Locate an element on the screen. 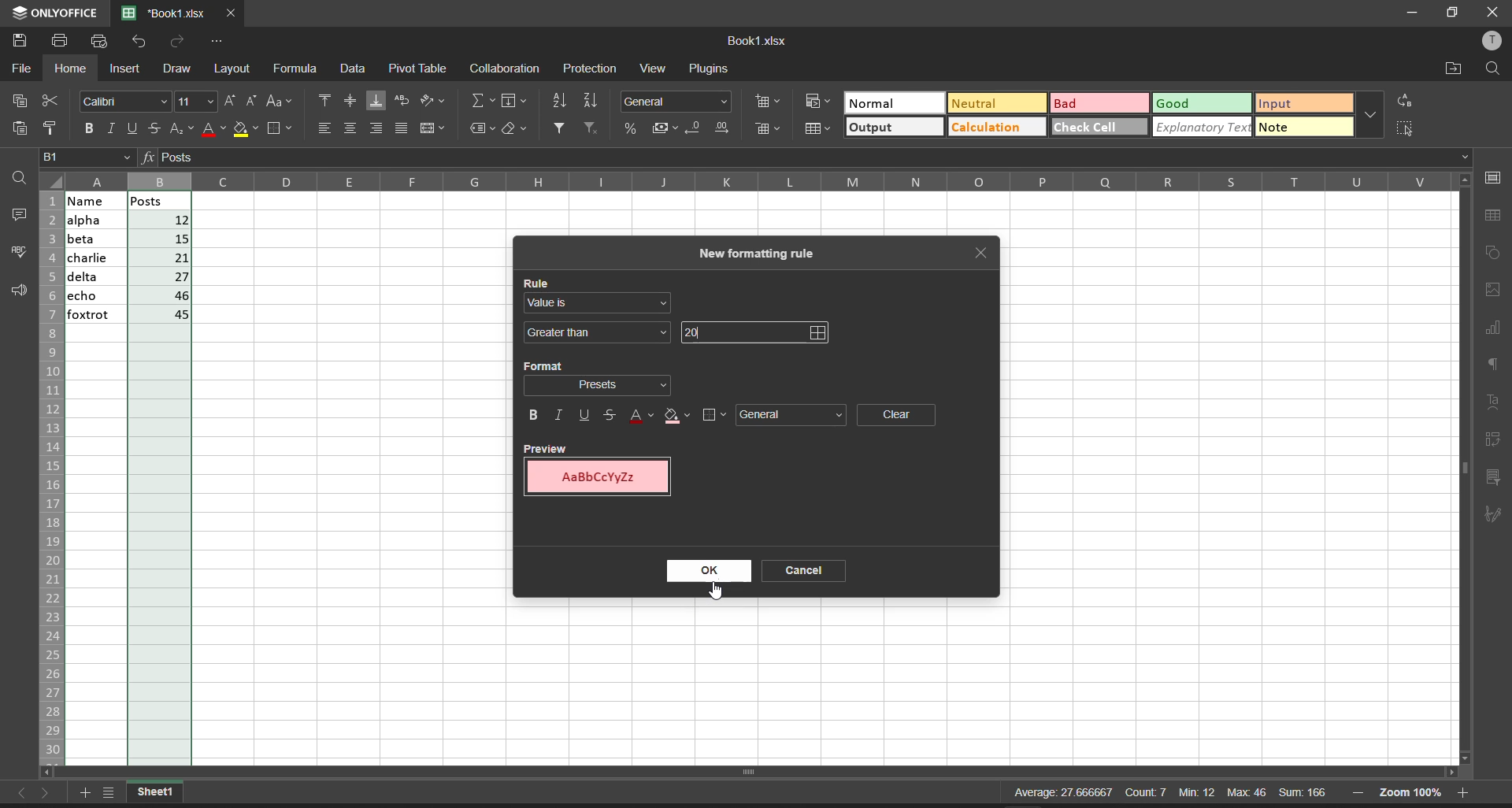 Image resolution: width=1512 pixels, height=808 pixels. 20 is located at coordinates (693, 330).